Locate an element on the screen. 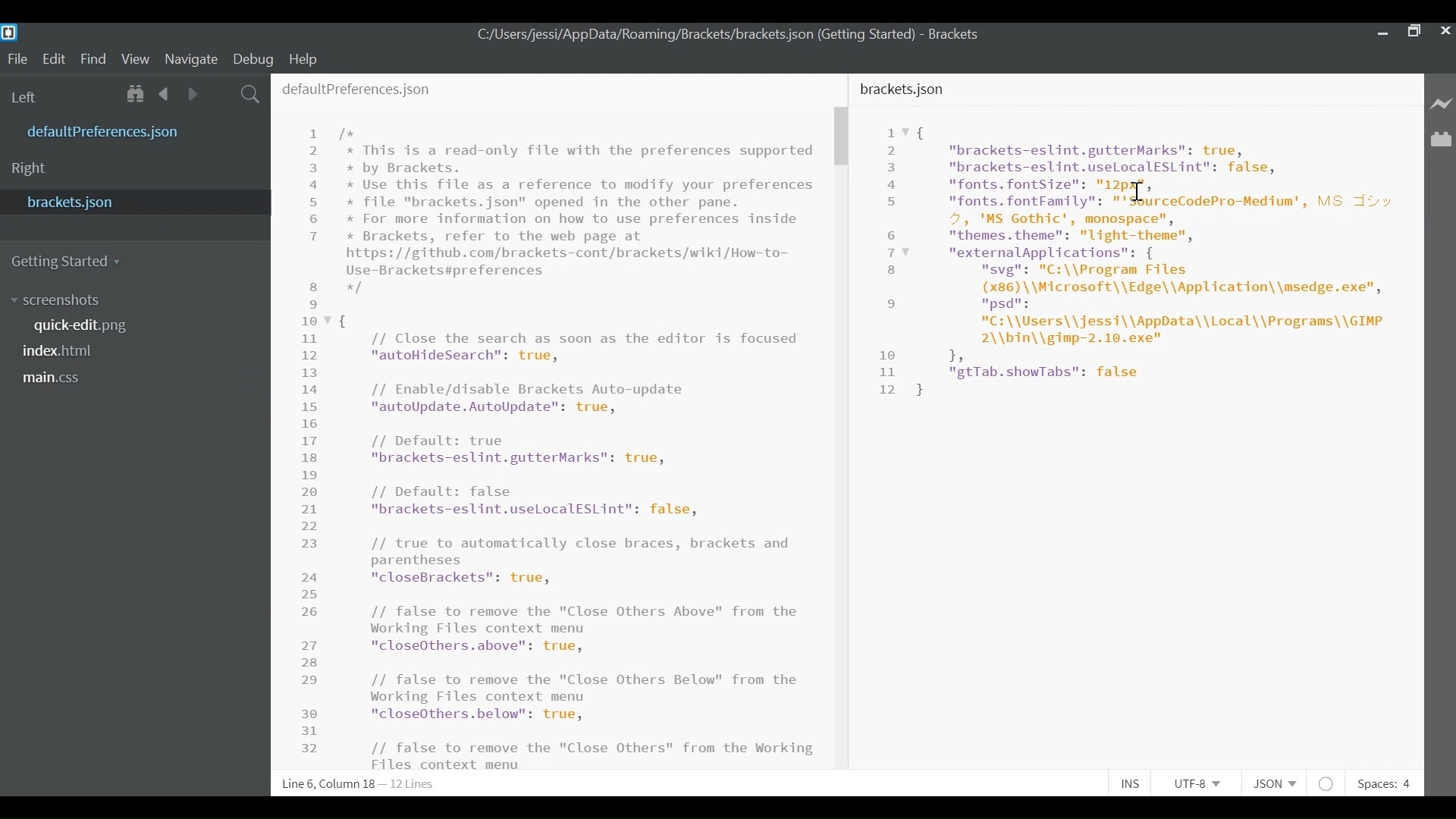  index.html file is located at coordinates (64, 353).